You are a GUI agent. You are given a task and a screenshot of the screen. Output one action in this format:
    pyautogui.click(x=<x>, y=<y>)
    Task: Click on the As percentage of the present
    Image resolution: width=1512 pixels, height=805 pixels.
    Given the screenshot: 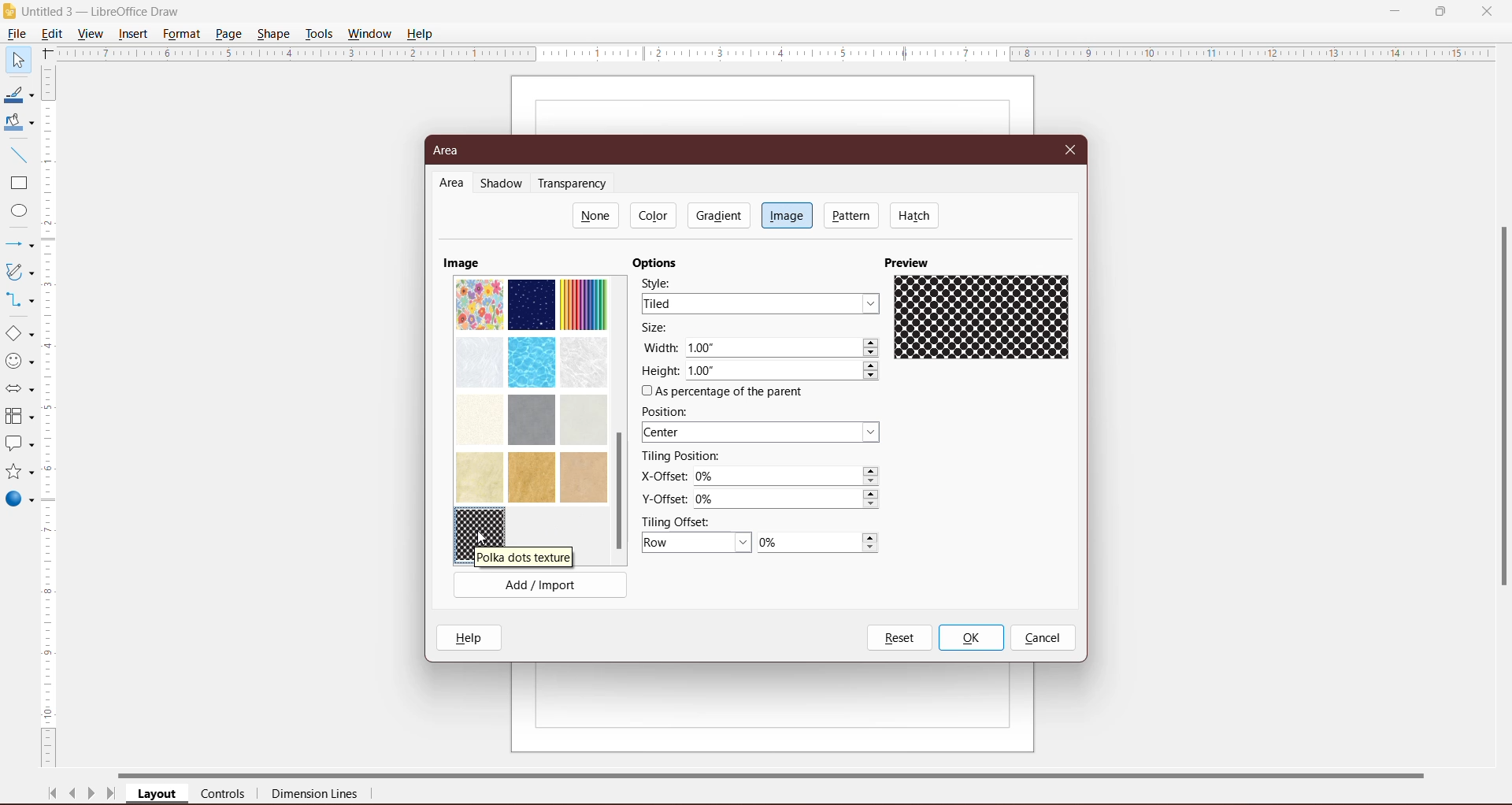 What is the action you would take?
    pyautogui.click(x=725, y=392)
    